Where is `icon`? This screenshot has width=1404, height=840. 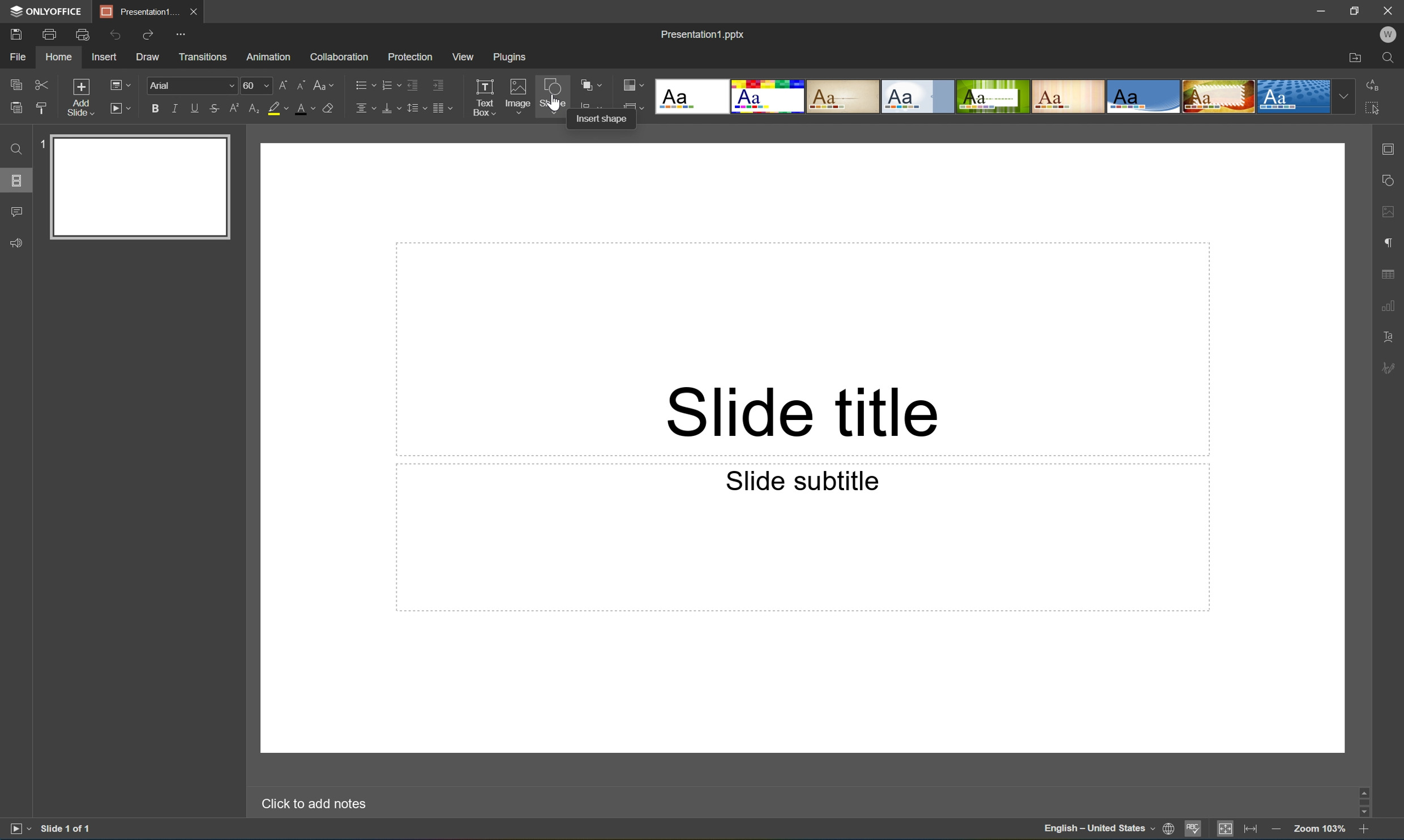 icon is located at coordinates (585, 107).